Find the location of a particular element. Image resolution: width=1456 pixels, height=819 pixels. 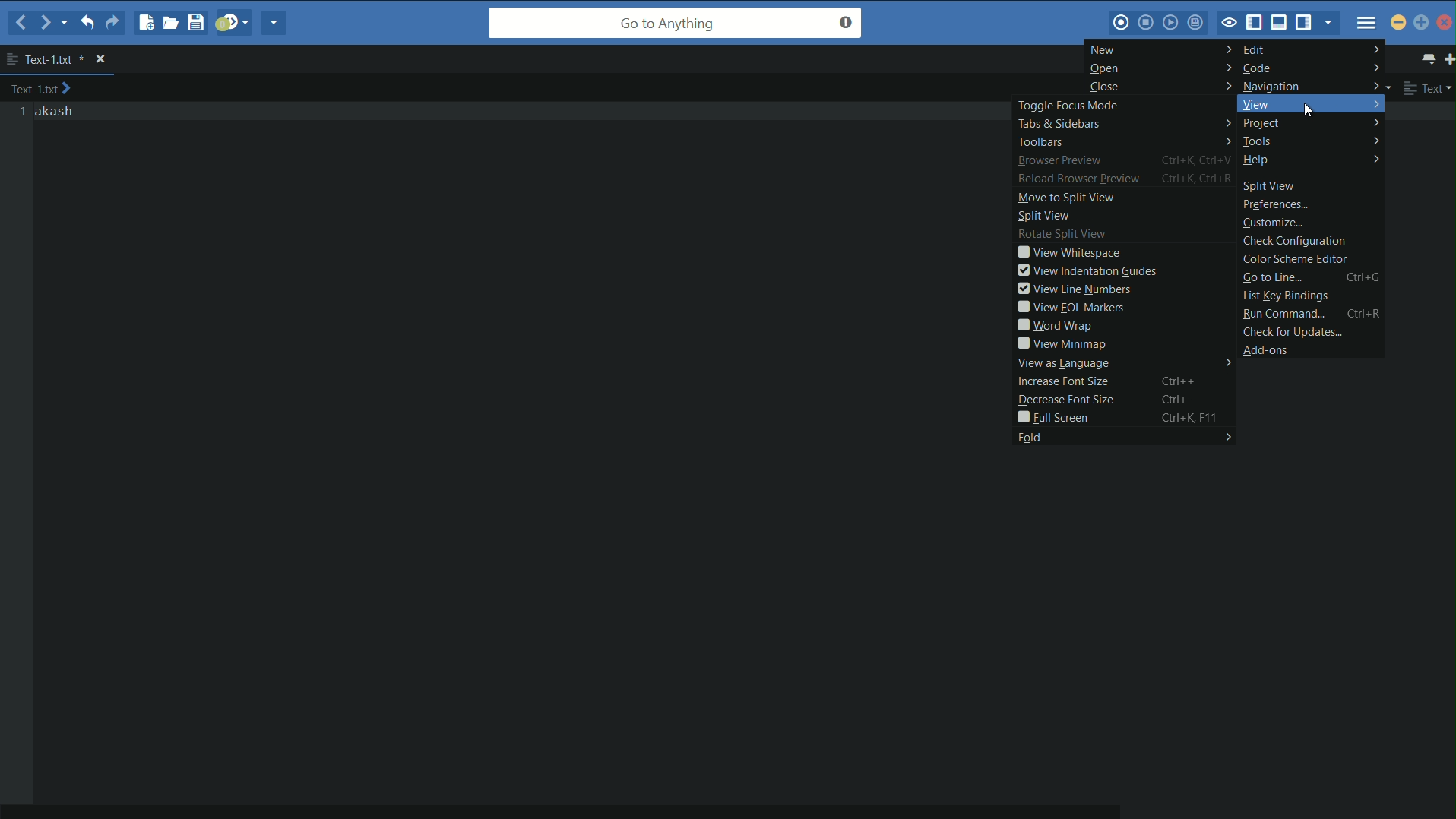

reload browser preview is located at coordinates (1124, 179).